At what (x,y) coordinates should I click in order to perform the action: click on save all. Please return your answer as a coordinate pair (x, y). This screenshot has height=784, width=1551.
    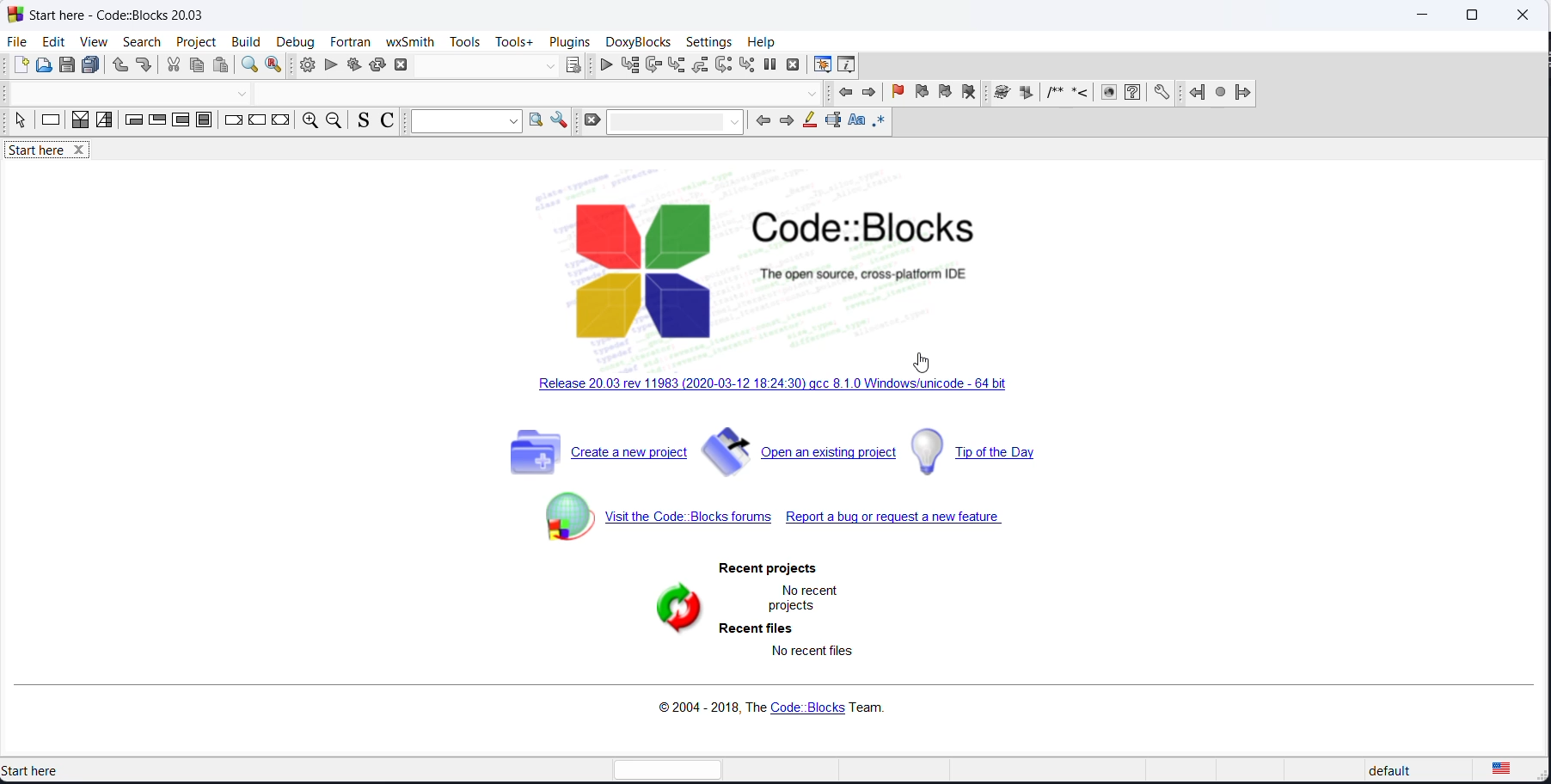
    Looking at the image, I should click on (94, 65).